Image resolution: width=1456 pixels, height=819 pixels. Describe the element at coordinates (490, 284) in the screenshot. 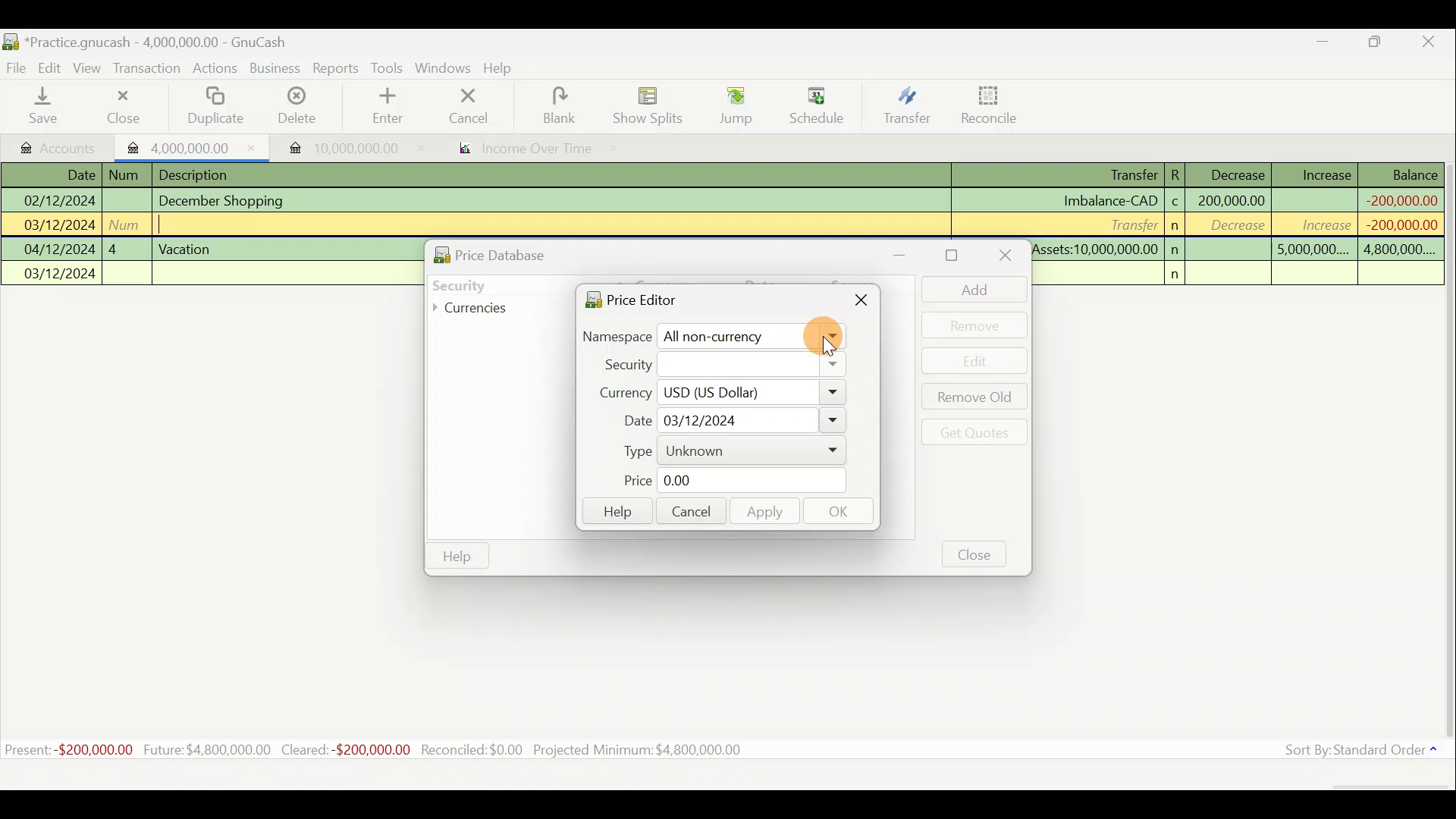

I see `Security` at that location.